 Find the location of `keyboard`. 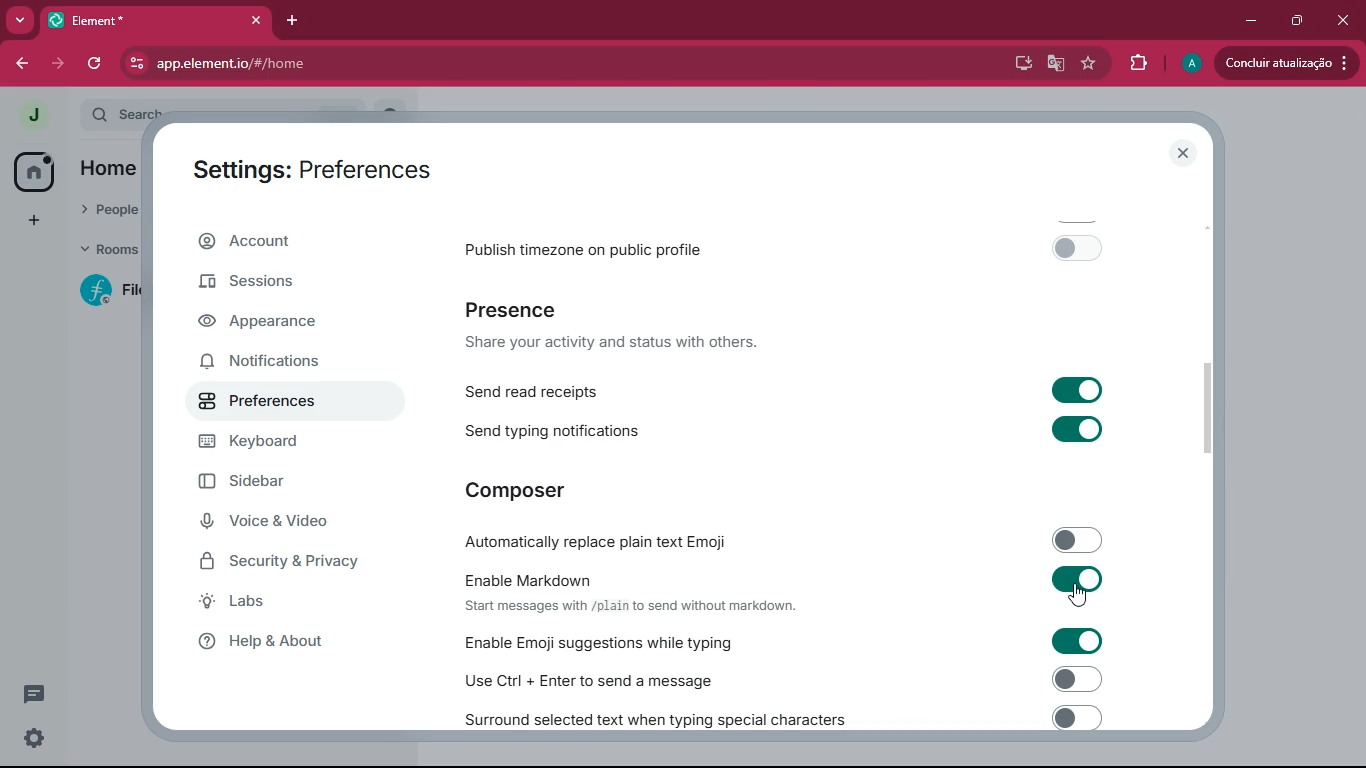

keyboard is located at coordinates (280, 447).